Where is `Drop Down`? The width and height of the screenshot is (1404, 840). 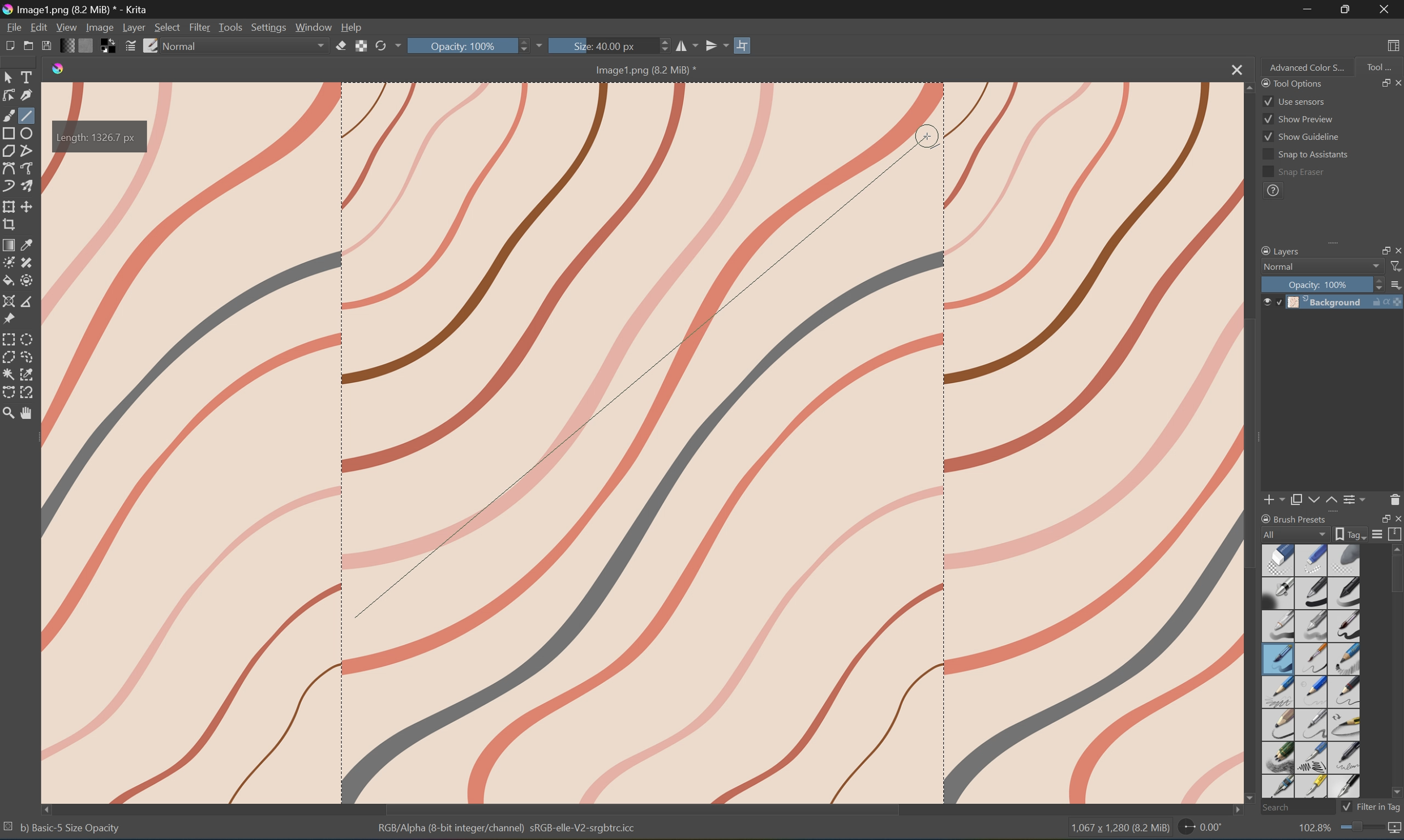 Drop Down is located at coordinates (545, 44).